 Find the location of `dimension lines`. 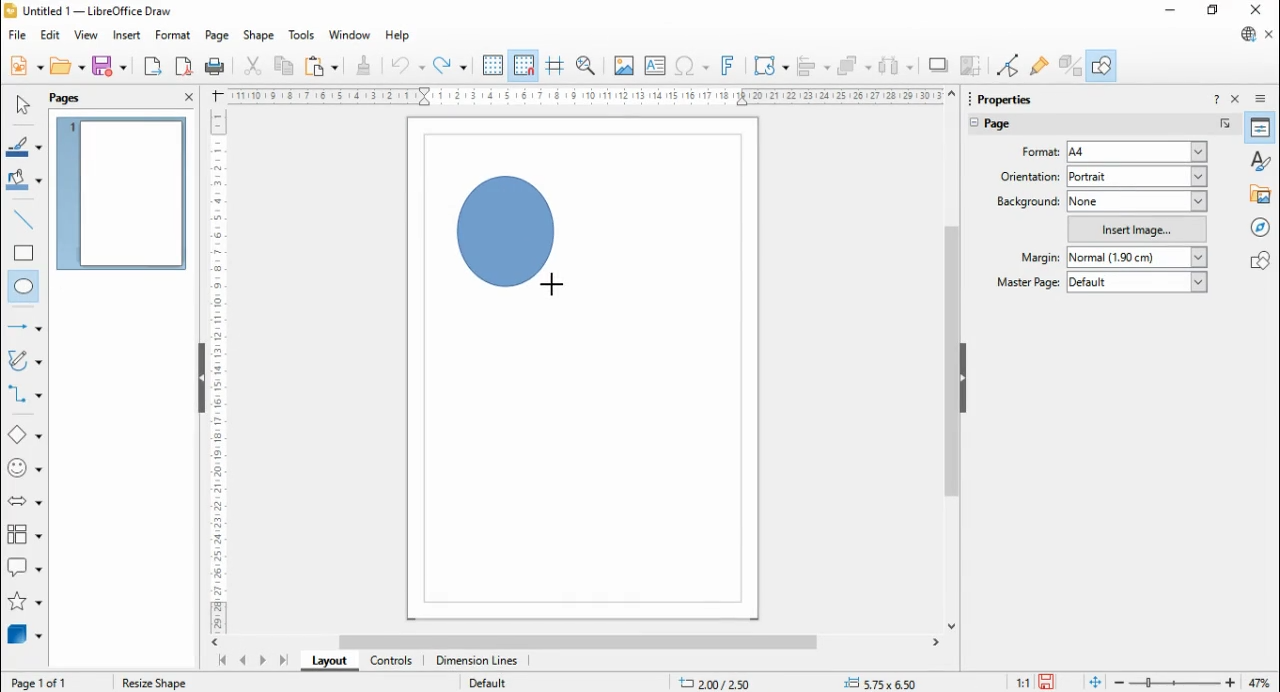

dimension lines is located at coordinates (478, 661).